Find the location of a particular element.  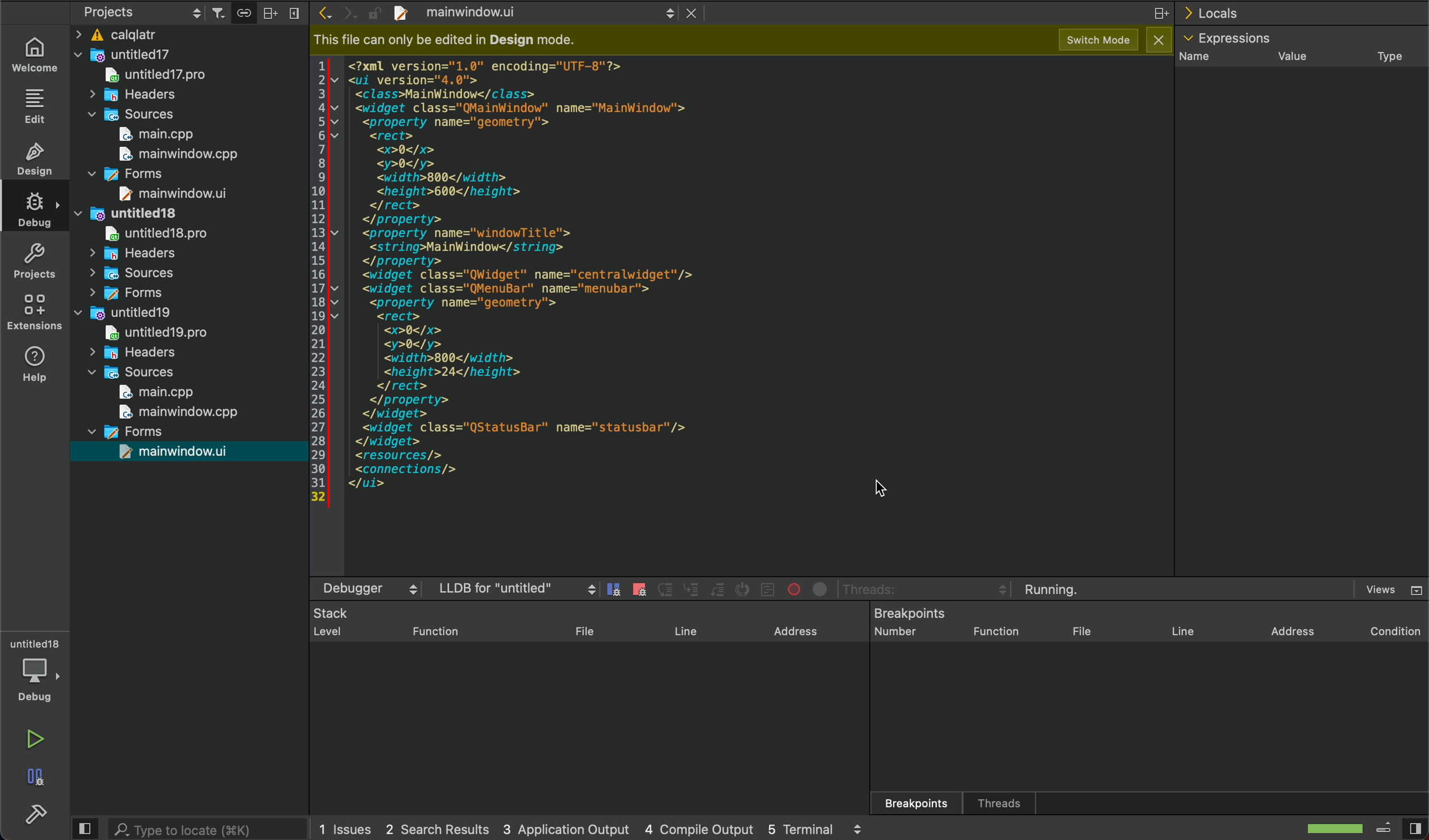

terminal button is located at coordinates (615, 591).